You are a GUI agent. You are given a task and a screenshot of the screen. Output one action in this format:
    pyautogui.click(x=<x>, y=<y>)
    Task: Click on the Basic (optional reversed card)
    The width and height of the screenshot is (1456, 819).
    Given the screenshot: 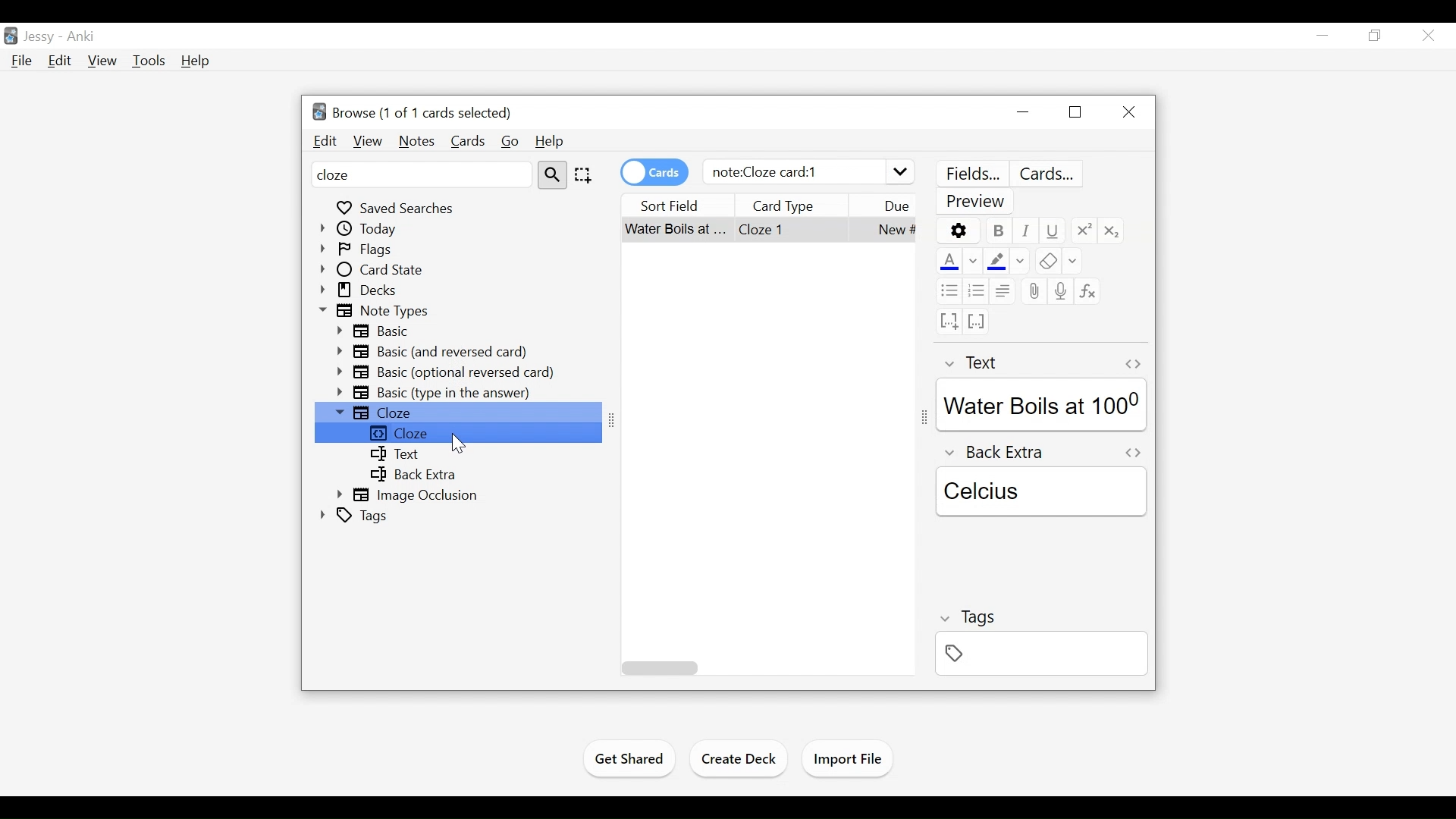 What is the action you would take?
    pyautogui.click(x=447, y=372)
    